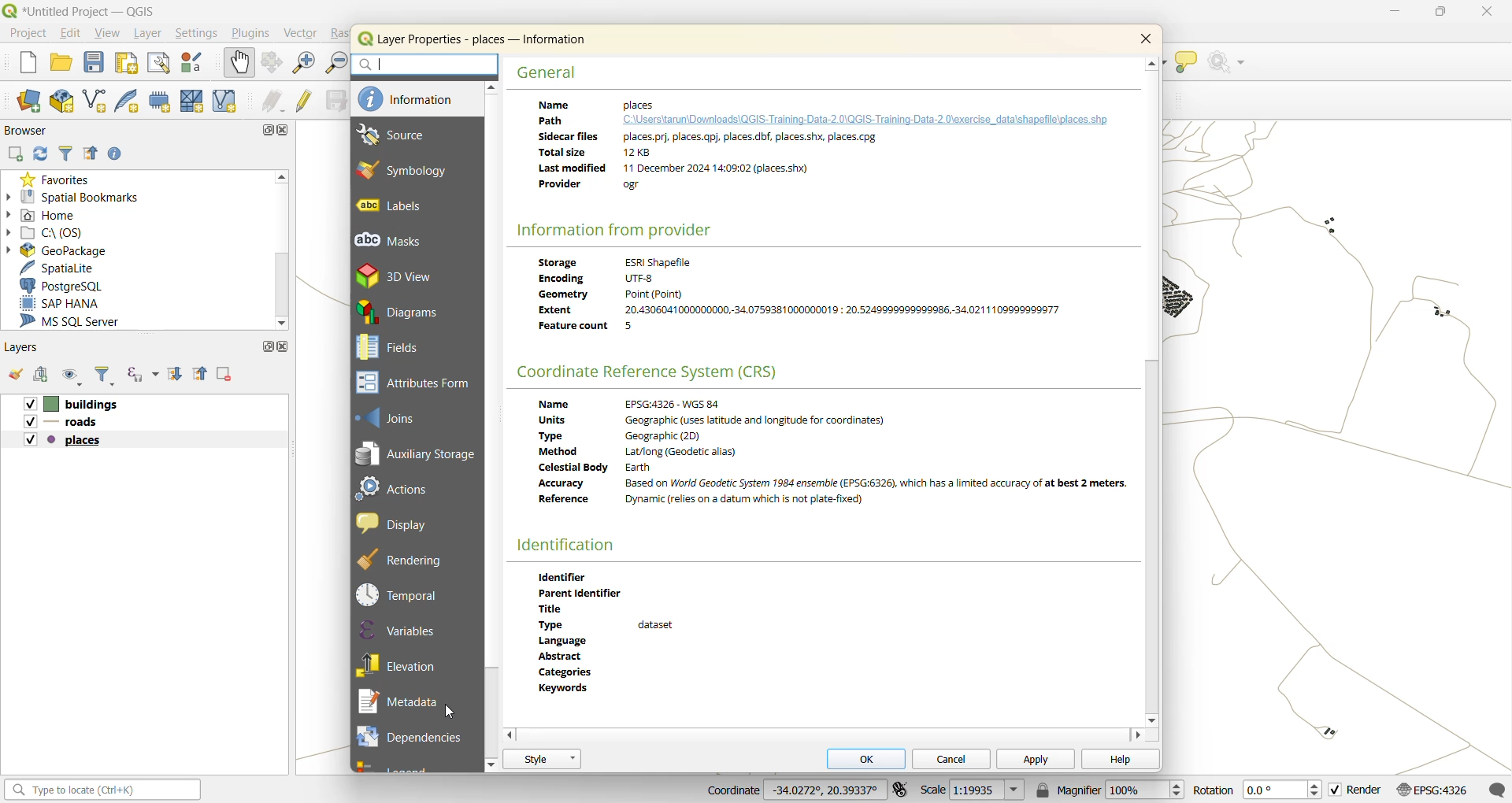  What do you see at coordinates (144, 371) in the screenshot?
I see `filter by expression` at bounding box center [144, 371].